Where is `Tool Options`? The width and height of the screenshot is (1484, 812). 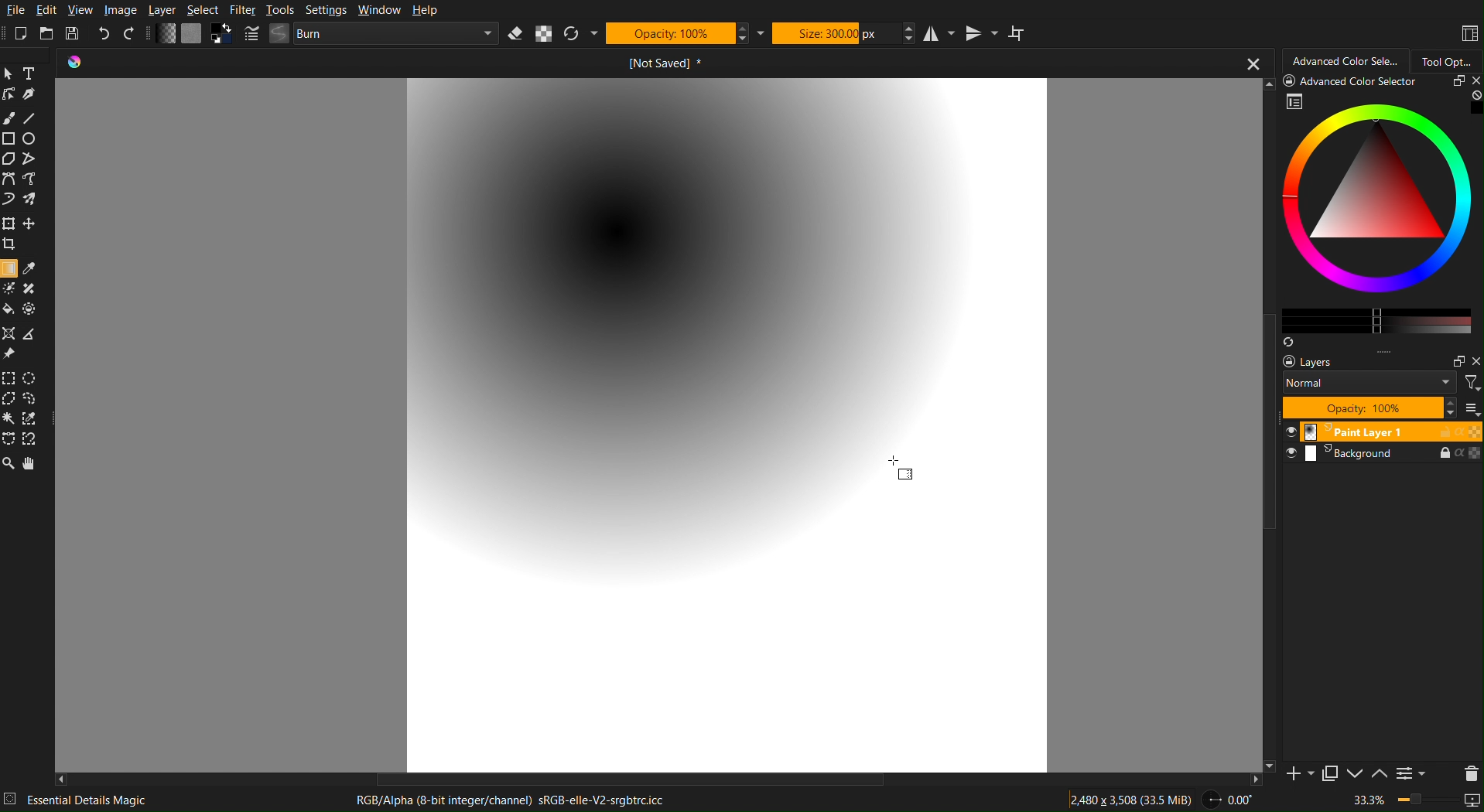 Tool Options is located at coordinates (1448, 59).